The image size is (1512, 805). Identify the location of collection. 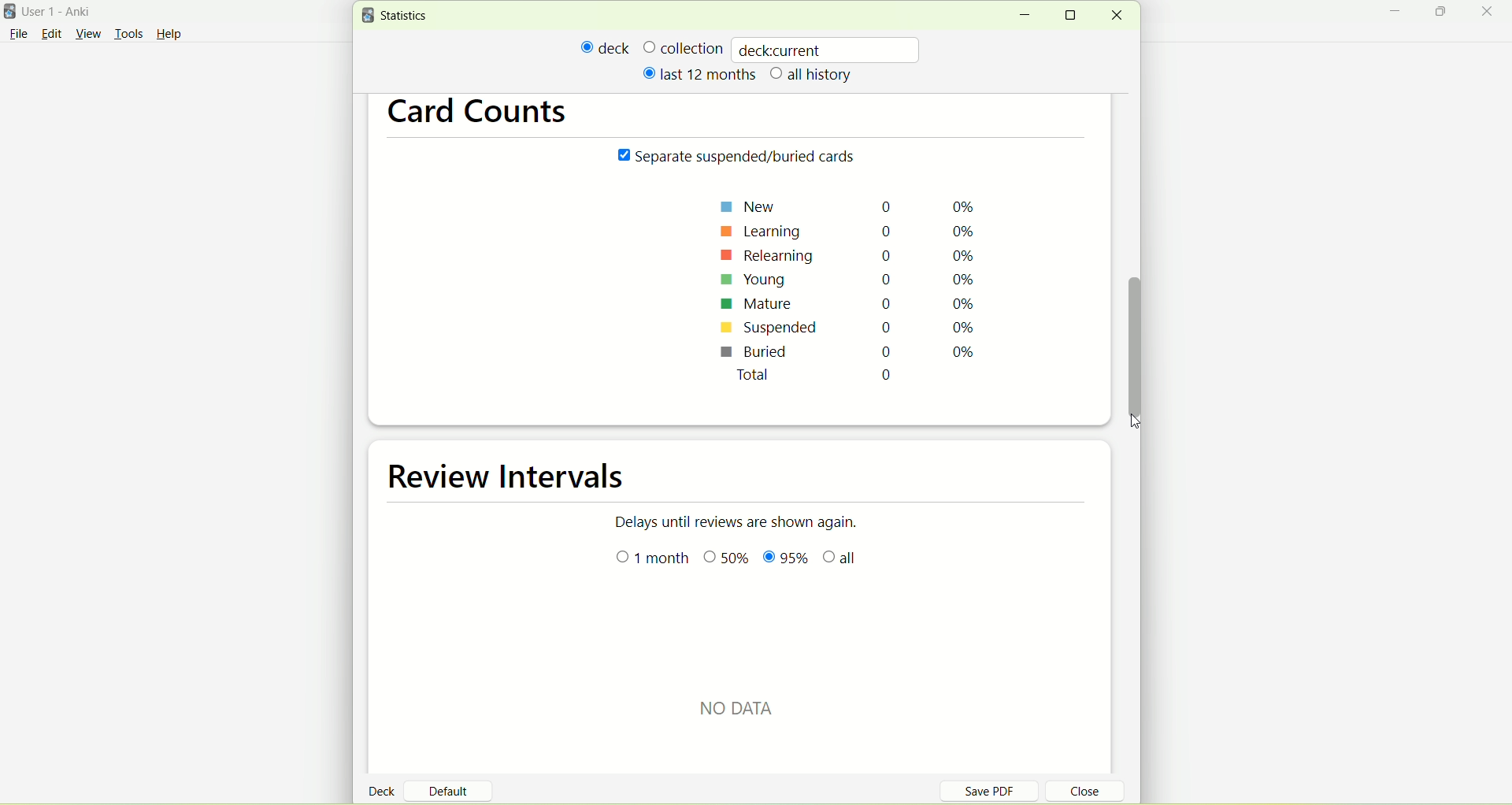
(683, 47).